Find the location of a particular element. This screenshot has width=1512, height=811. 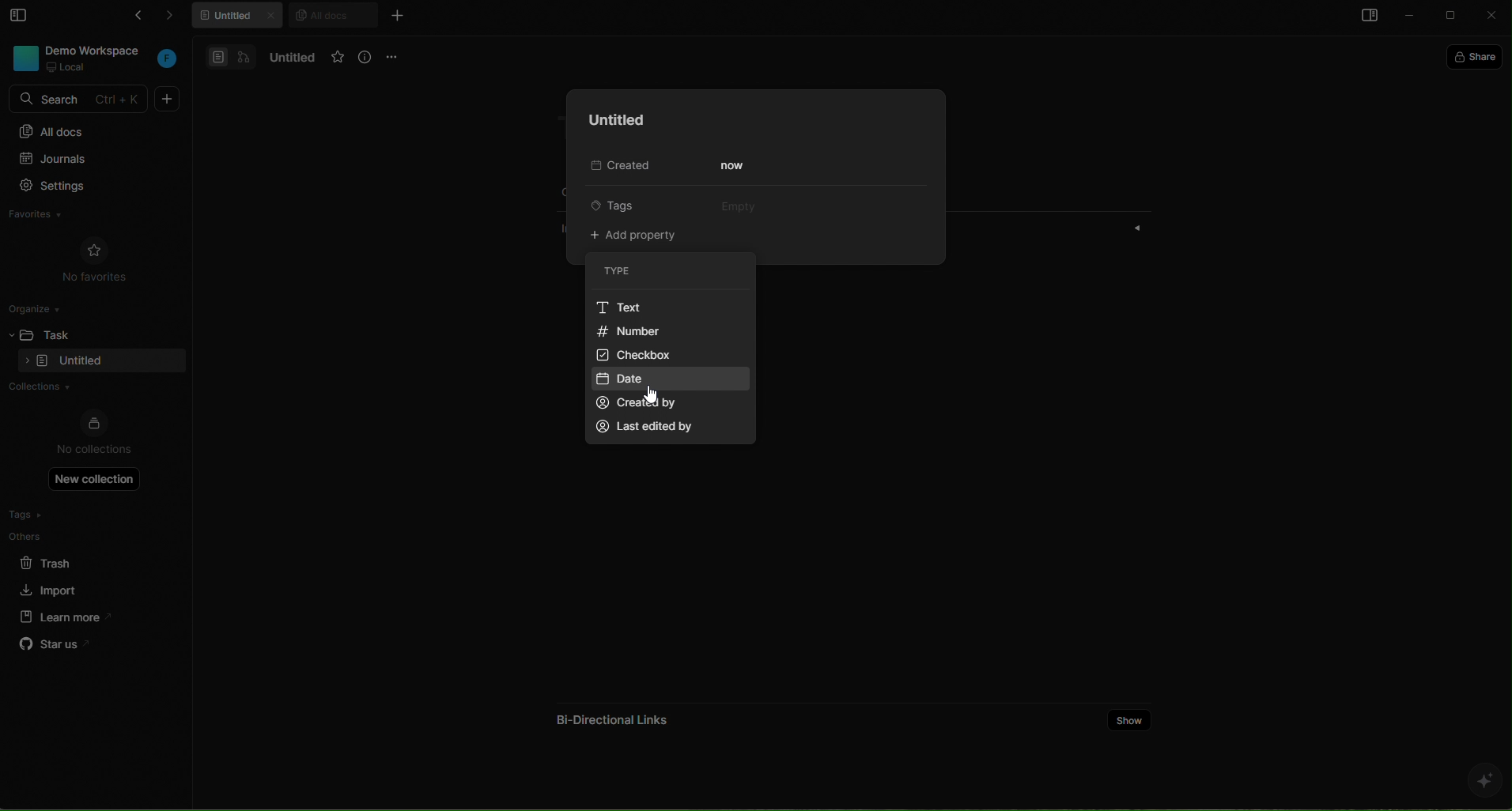

new collection is located at coordinates (95, 478).